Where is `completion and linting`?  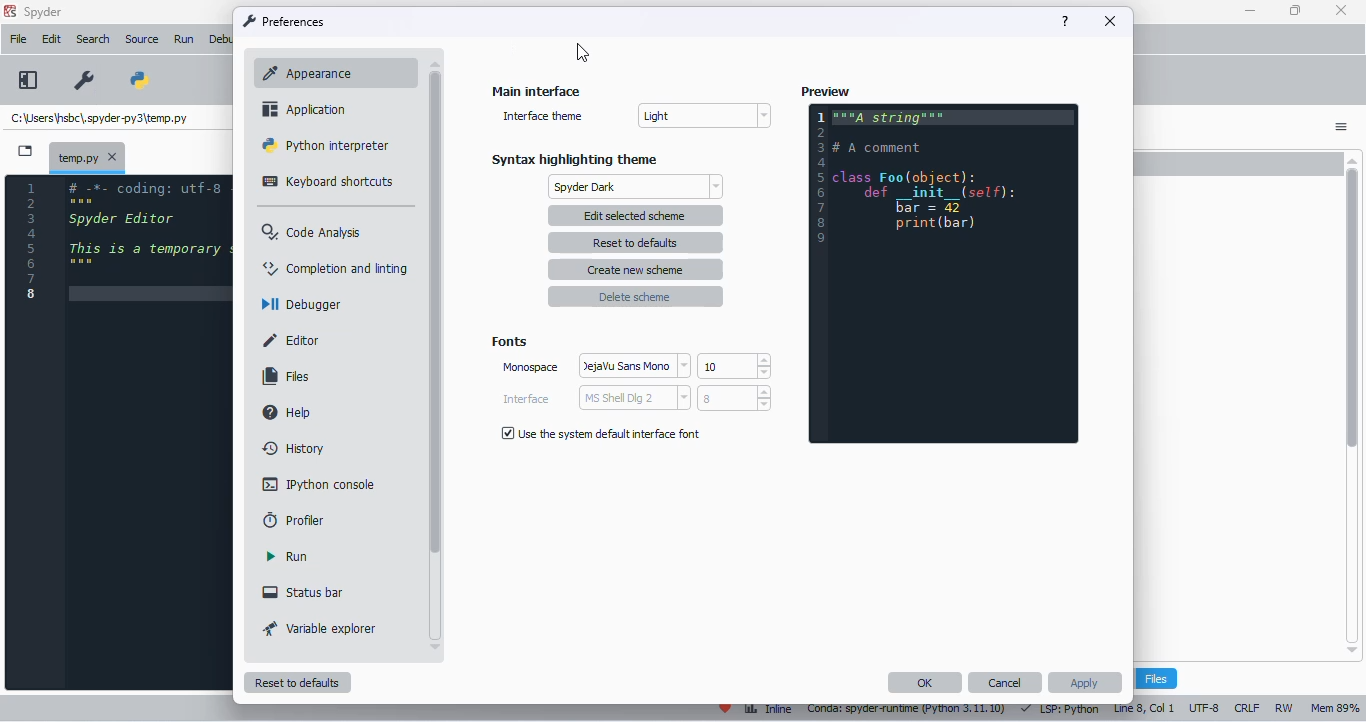
completion and linting is located at coordinates (336, 268).